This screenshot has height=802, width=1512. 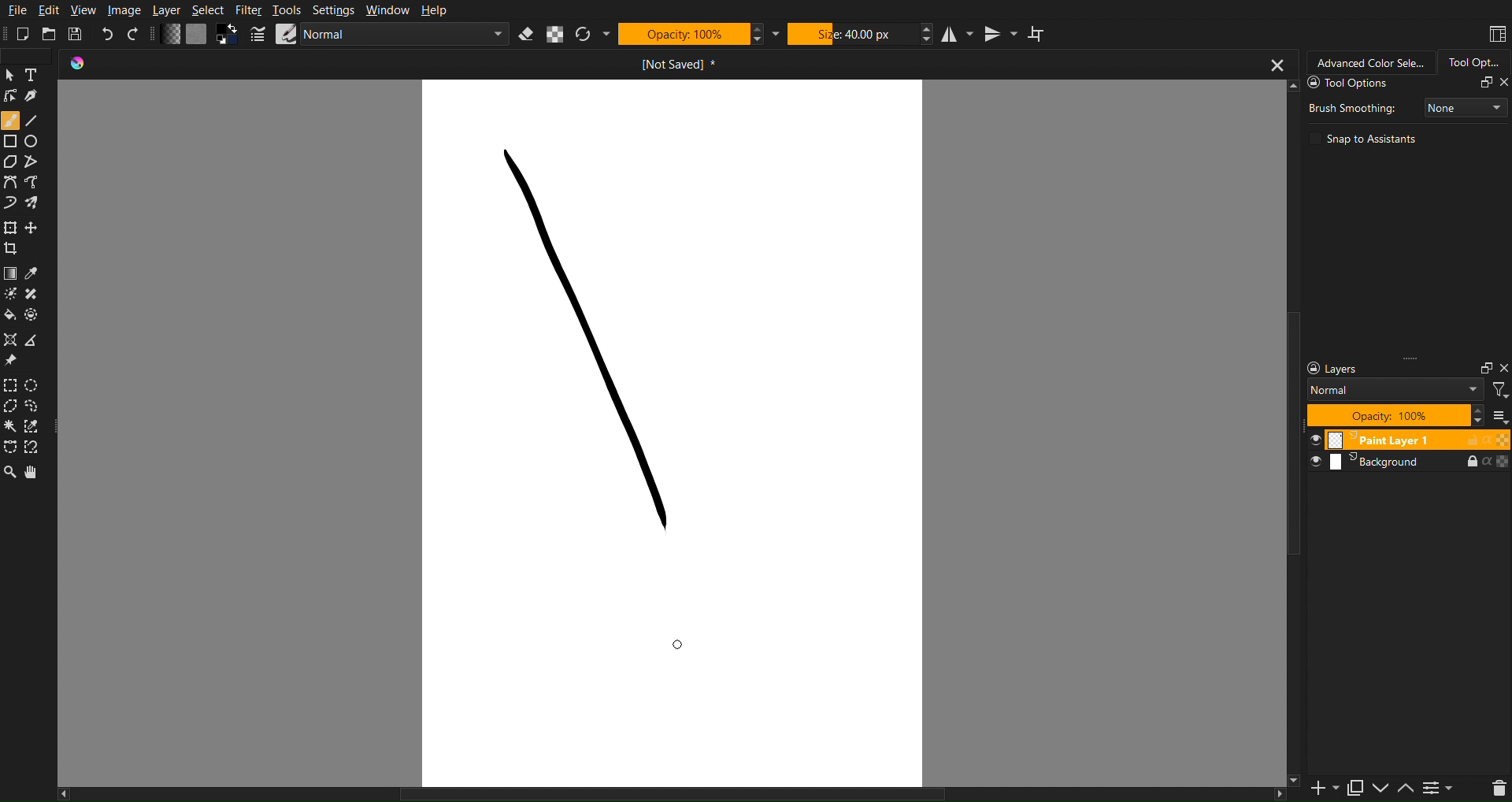 What do you see at coordinates (39, 121) in the screenshot?
I see `Line` at bounding box center [39, 121].